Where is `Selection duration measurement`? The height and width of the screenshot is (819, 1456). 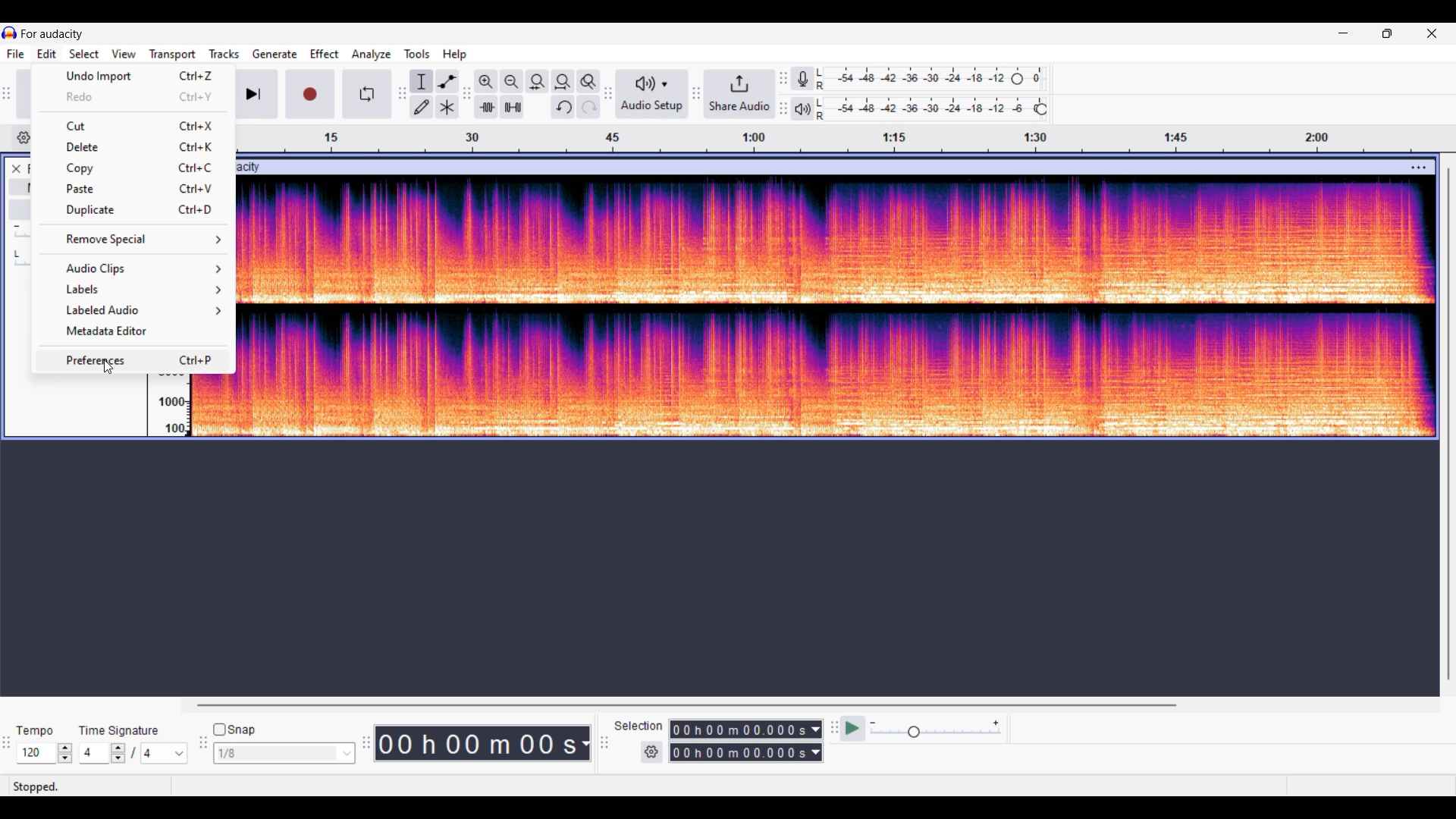
Selection duration measurement is located at coordinates (816, 741).